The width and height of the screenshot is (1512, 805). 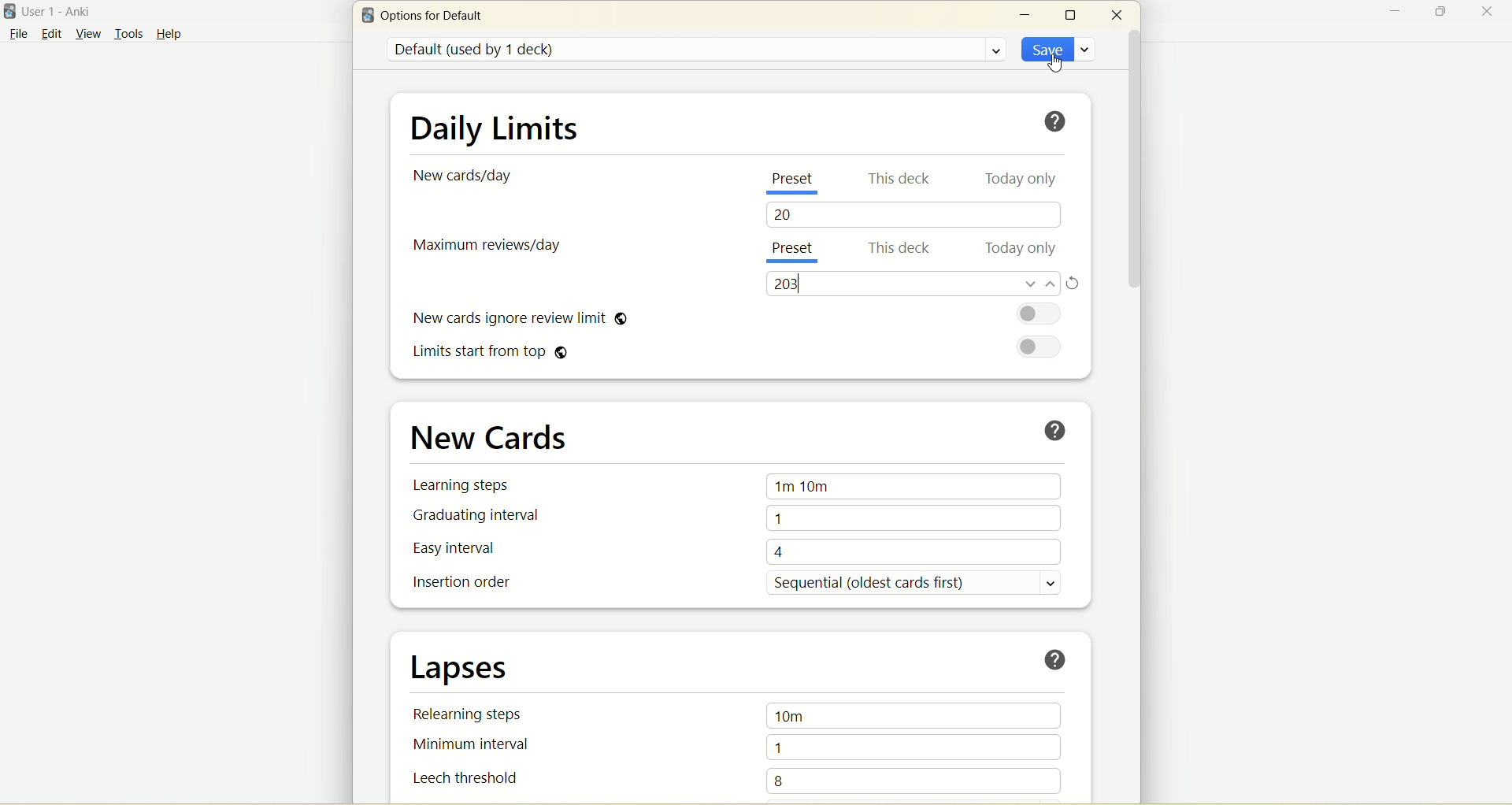 What do you see at coordinates (492, 440) in the screenshot?
I see `new cards` at bounding box center [492, 440].